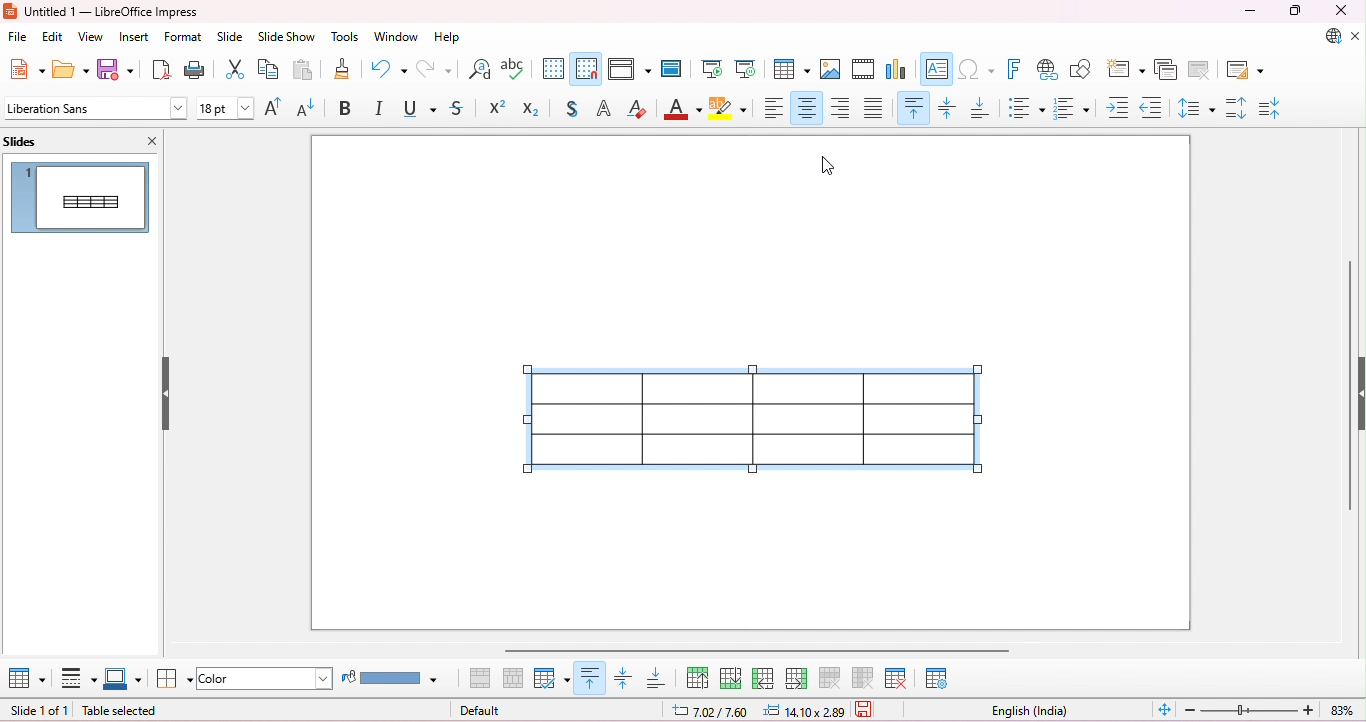 Image resolution: width=1366 pixels, height=722 pixels. What do you see at coordinates (286, 37) in the screenshot?
I see `slideshow` at bounding box center [286, 37].